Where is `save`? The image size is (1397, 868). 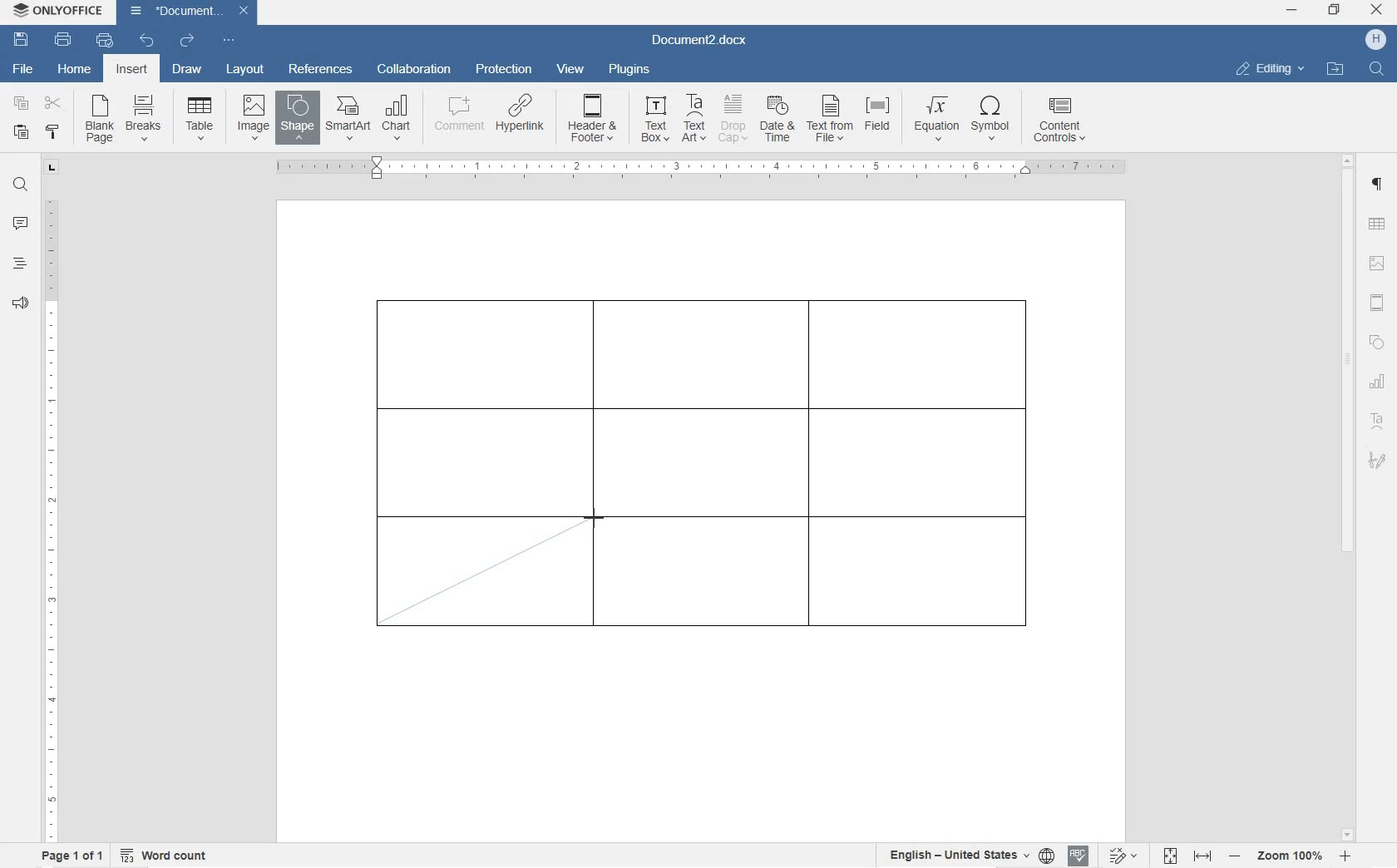 save is located at coordinates (22, 40).